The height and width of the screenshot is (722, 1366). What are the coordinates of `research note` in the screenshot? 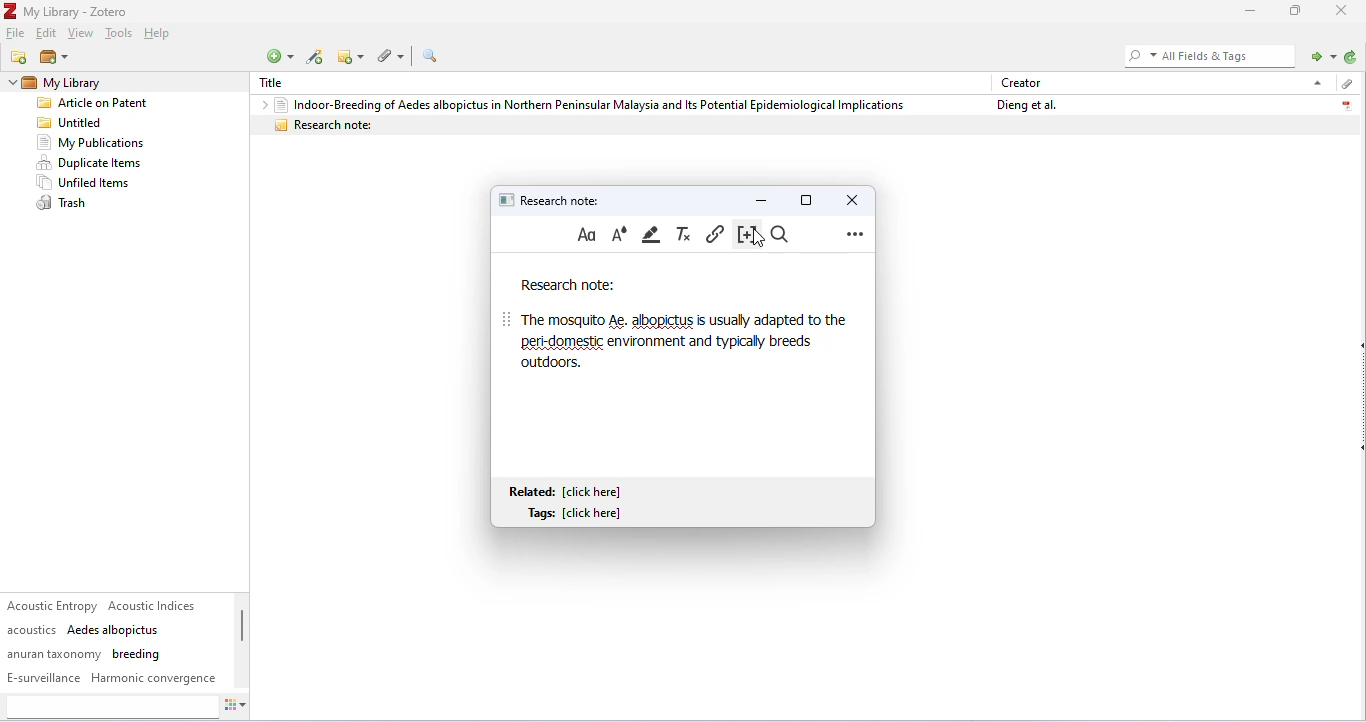 It's located at (553, 199).